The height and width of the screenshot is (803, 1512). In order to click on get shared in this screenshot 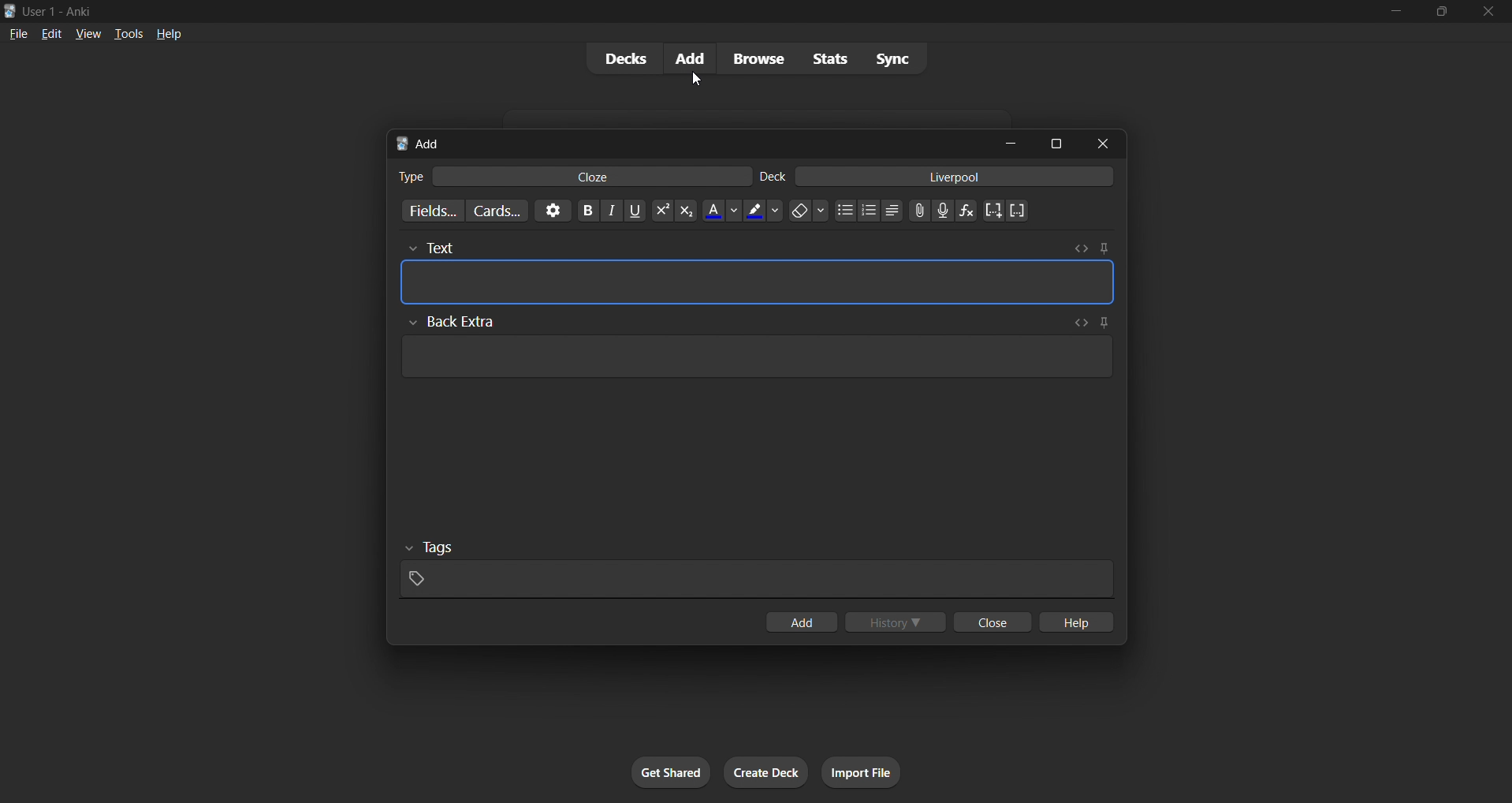, I will do `click(672, 771)`.